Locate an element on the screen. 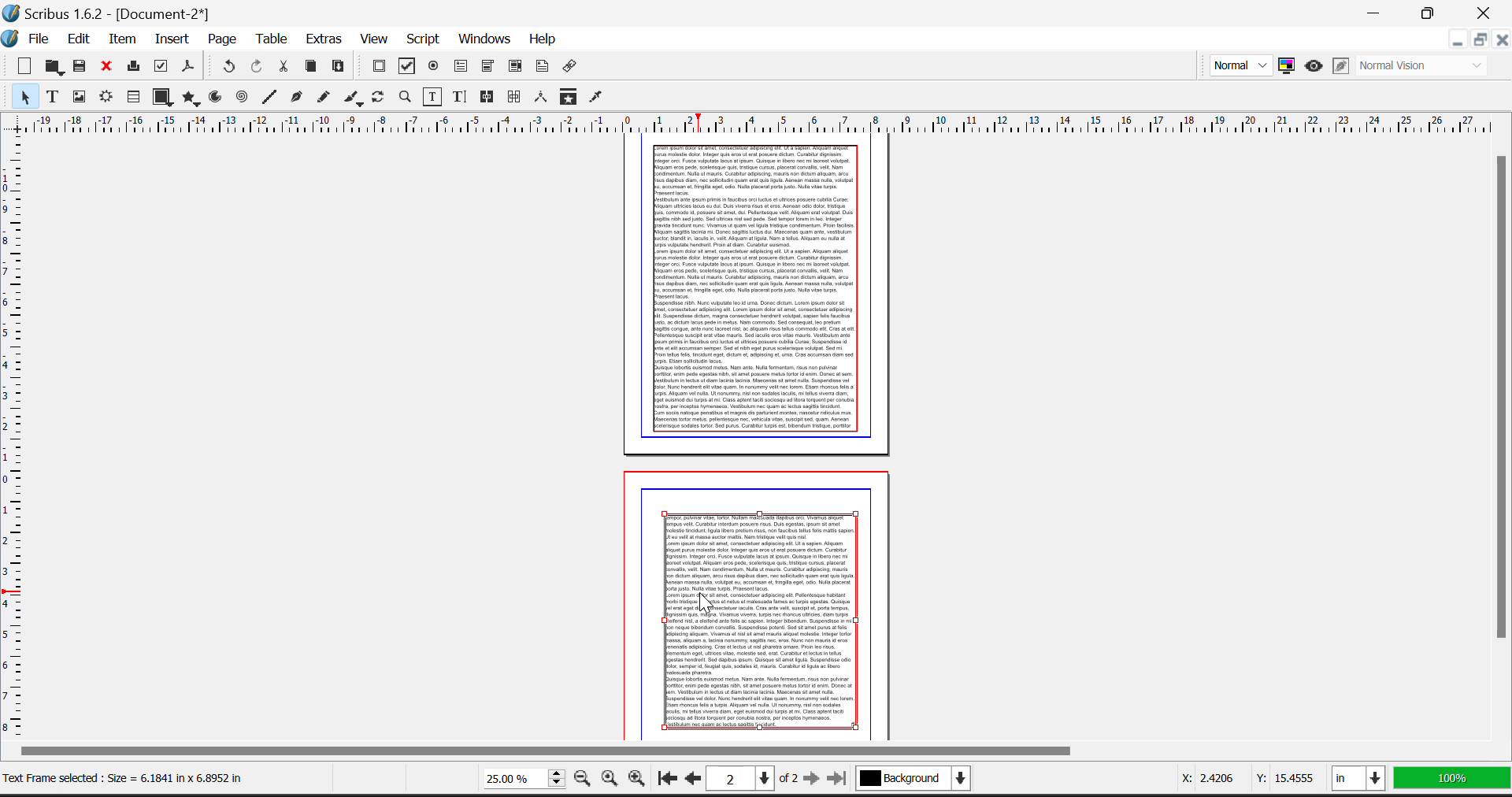 The height and width of the screenshot is (797, 1512). Image Frames is located at coordinates (79, 96).